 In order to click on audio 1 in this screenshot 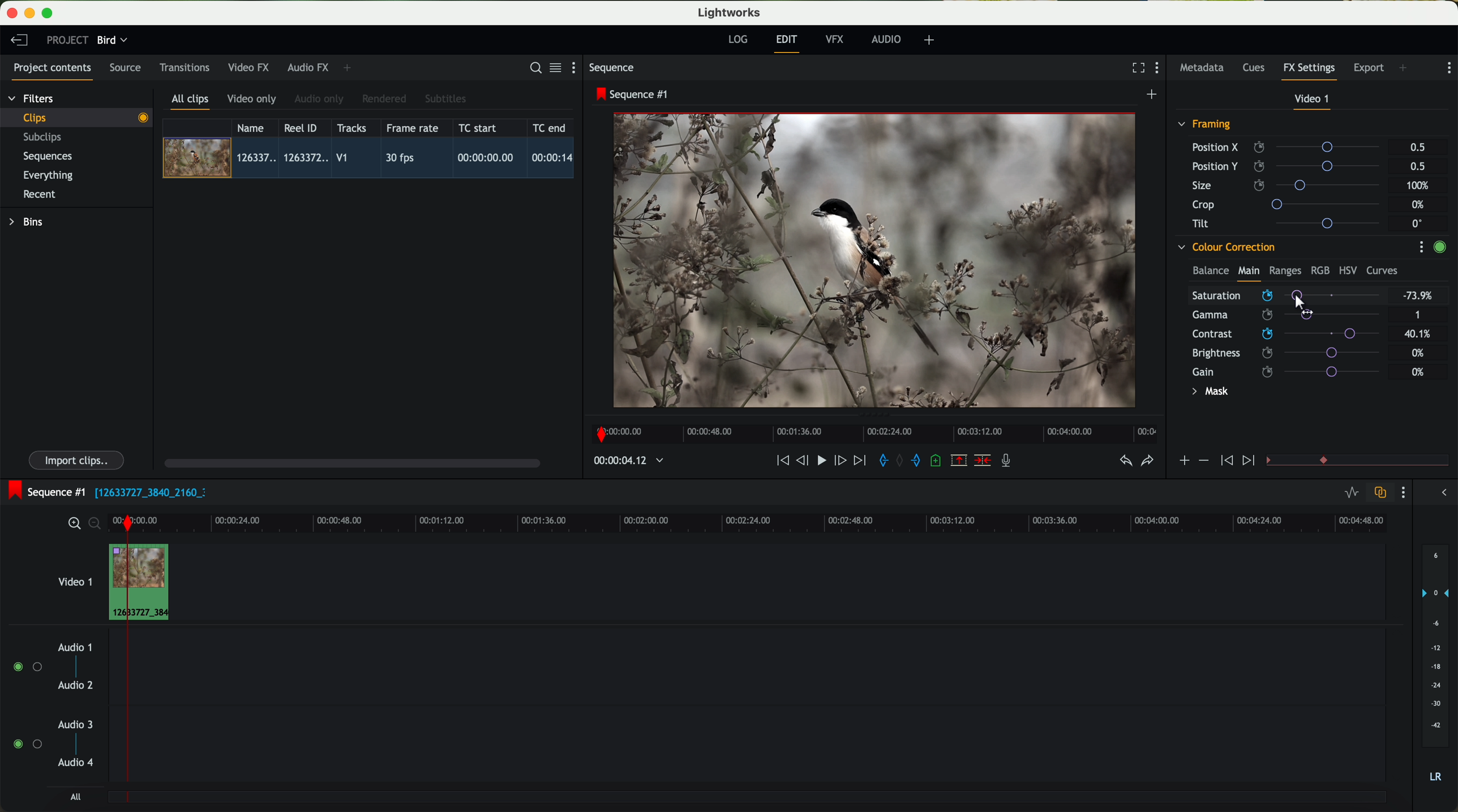, I will do `click(75, 647)`.